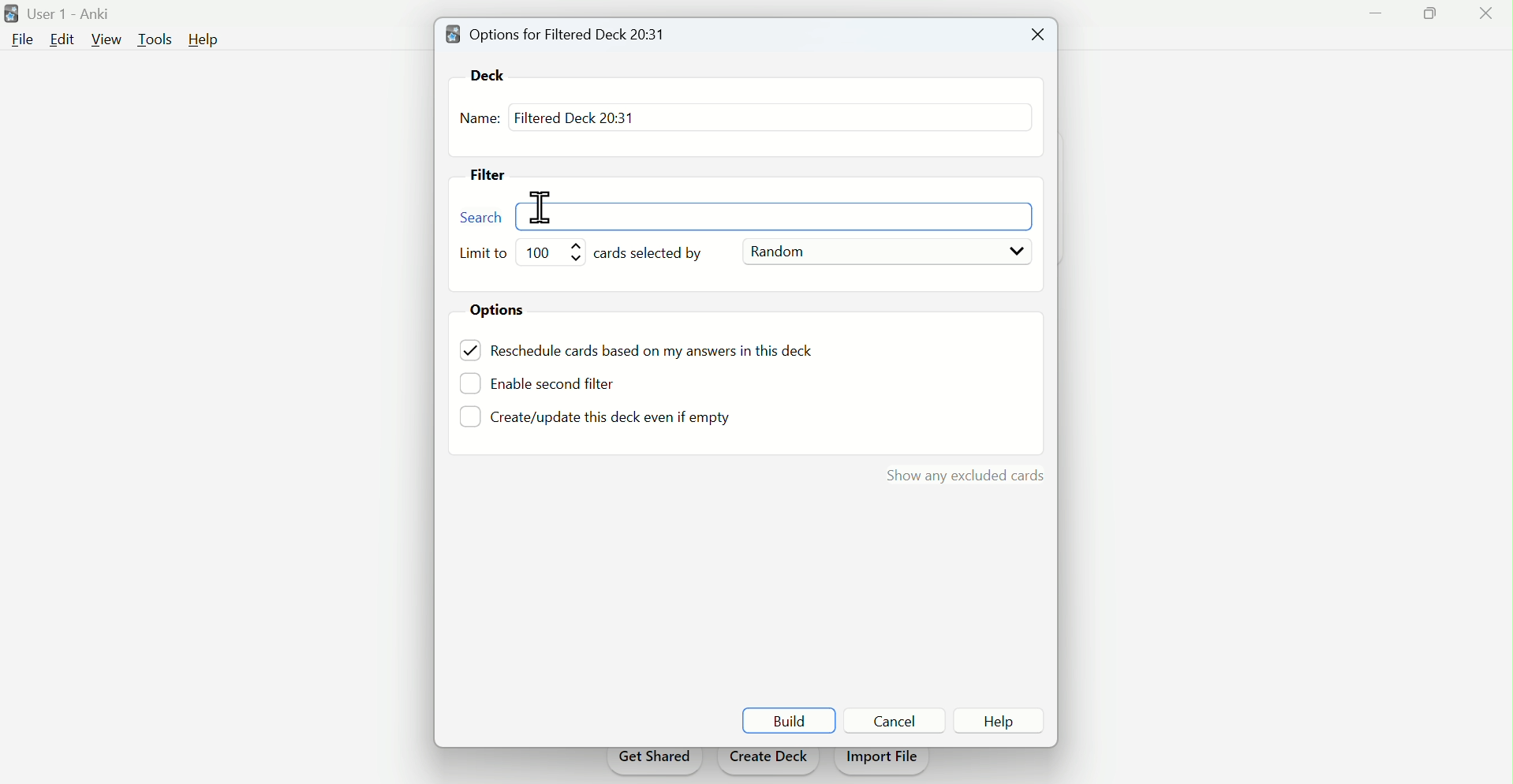 The width and height of the screenshot is (1513, 784). Describe the element at coordinates (573, 117) in the screenshot. I see `Filtered deck 20: 31` at that location.